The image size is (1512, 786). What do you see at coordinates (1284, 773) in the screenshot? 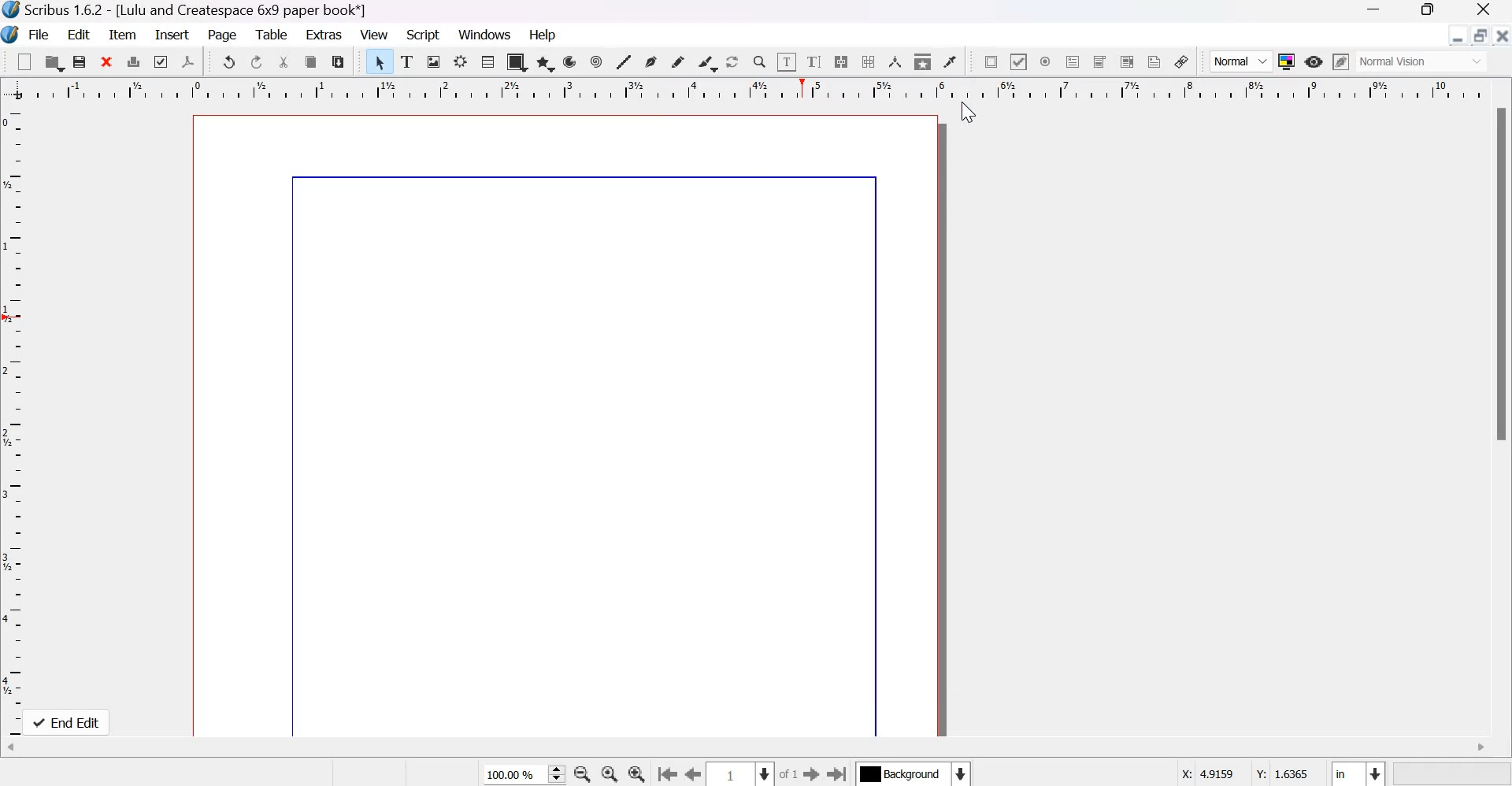
I see `Y coordinates` at bounding box center [1284, 773].